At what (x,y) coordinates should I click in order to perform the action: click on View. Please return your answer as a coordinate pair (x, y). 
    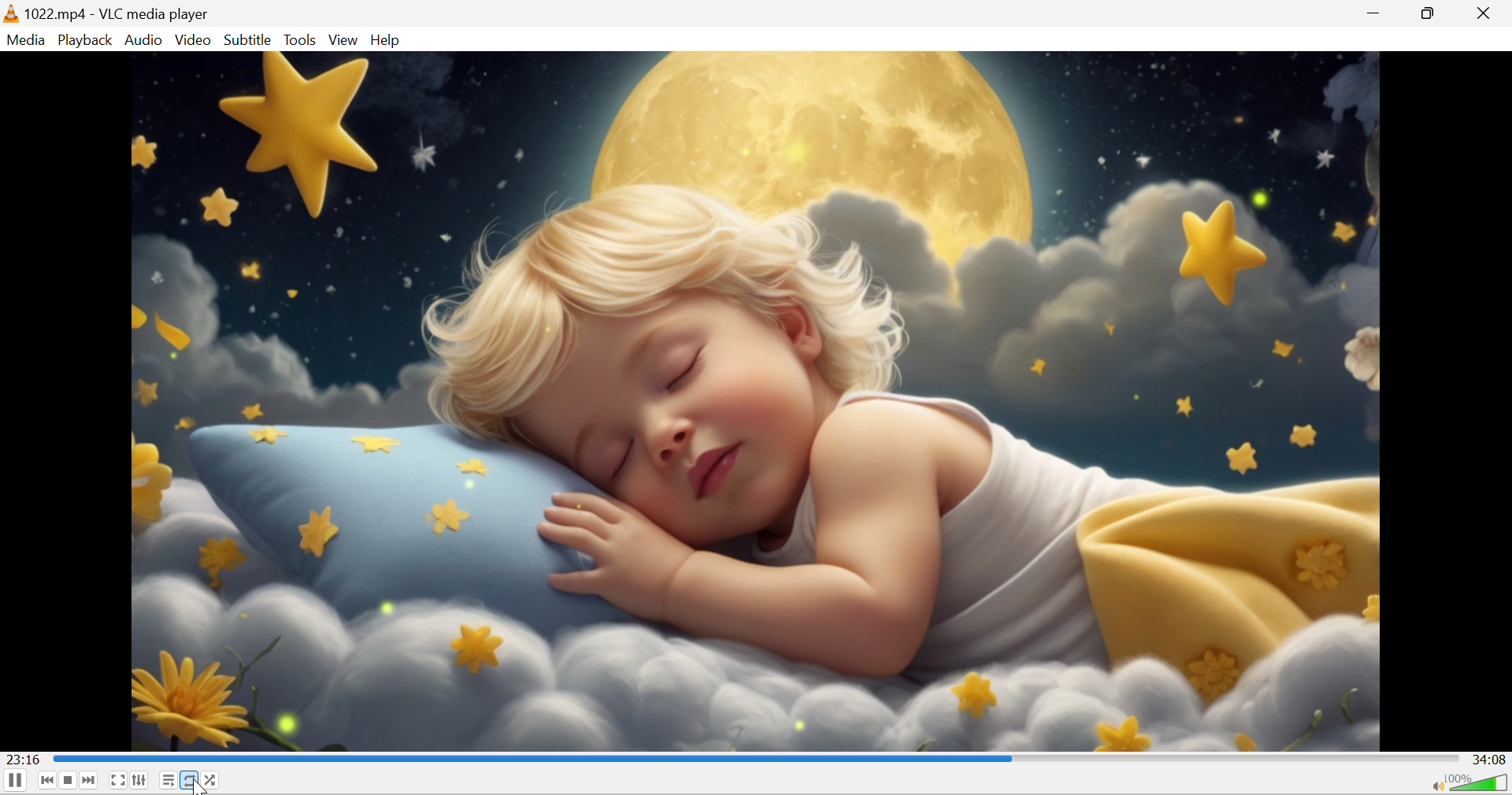
    Looking at the image, I should click on (345, 40).